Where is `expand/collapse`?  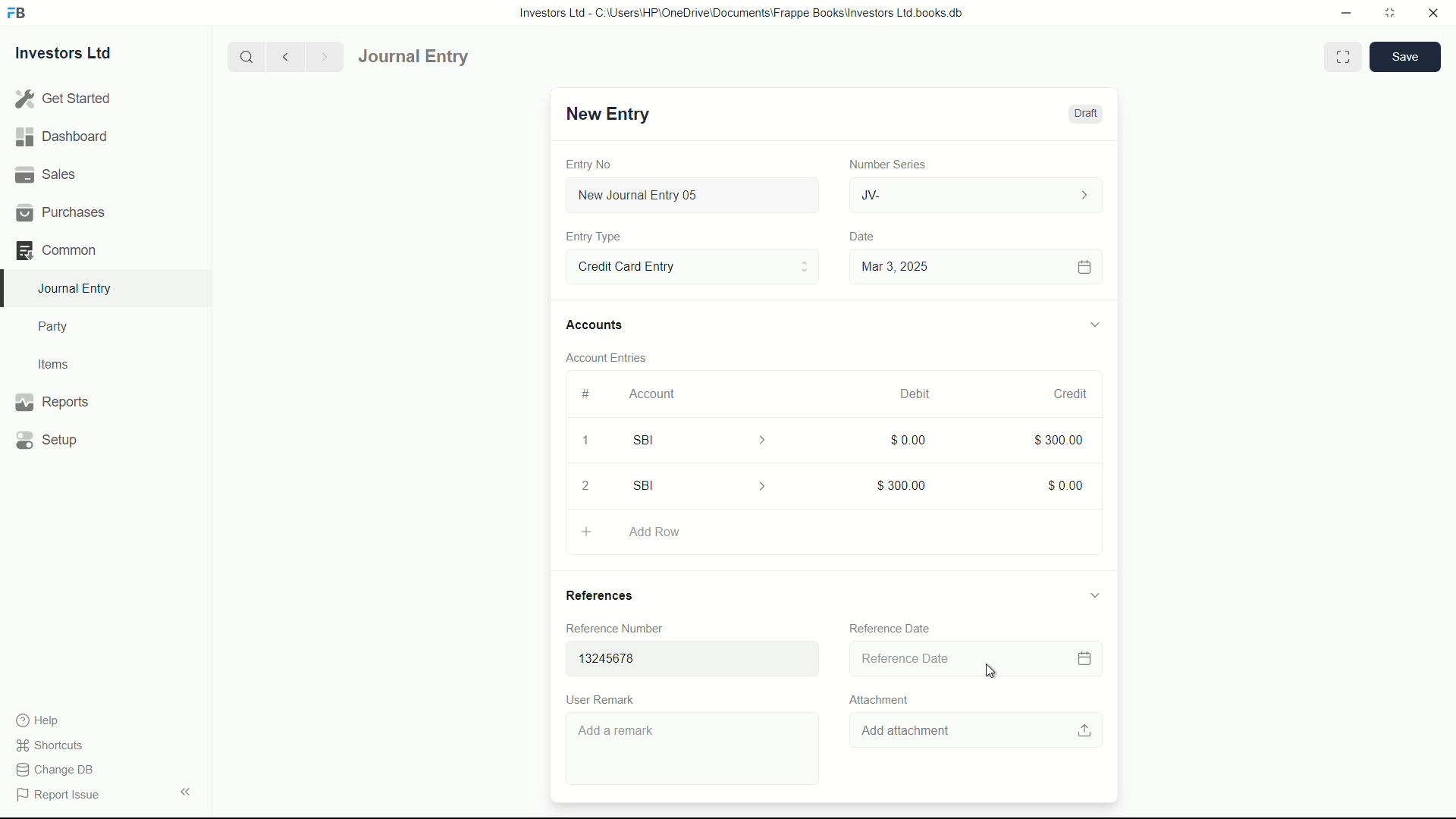
expand/collapse is located at coordinates (1094, 594).